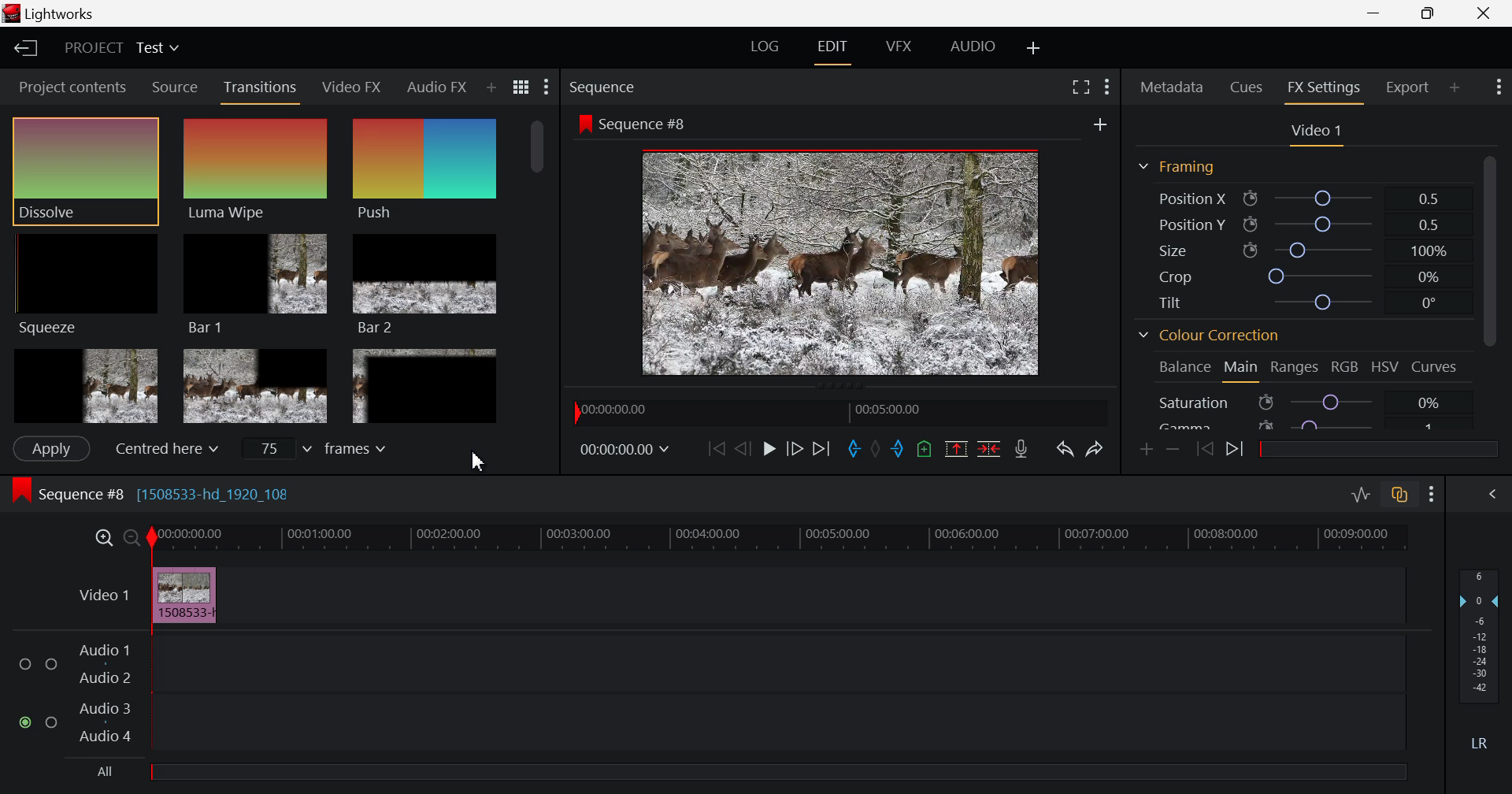  I want to click on RGB, so click(1347, 369).